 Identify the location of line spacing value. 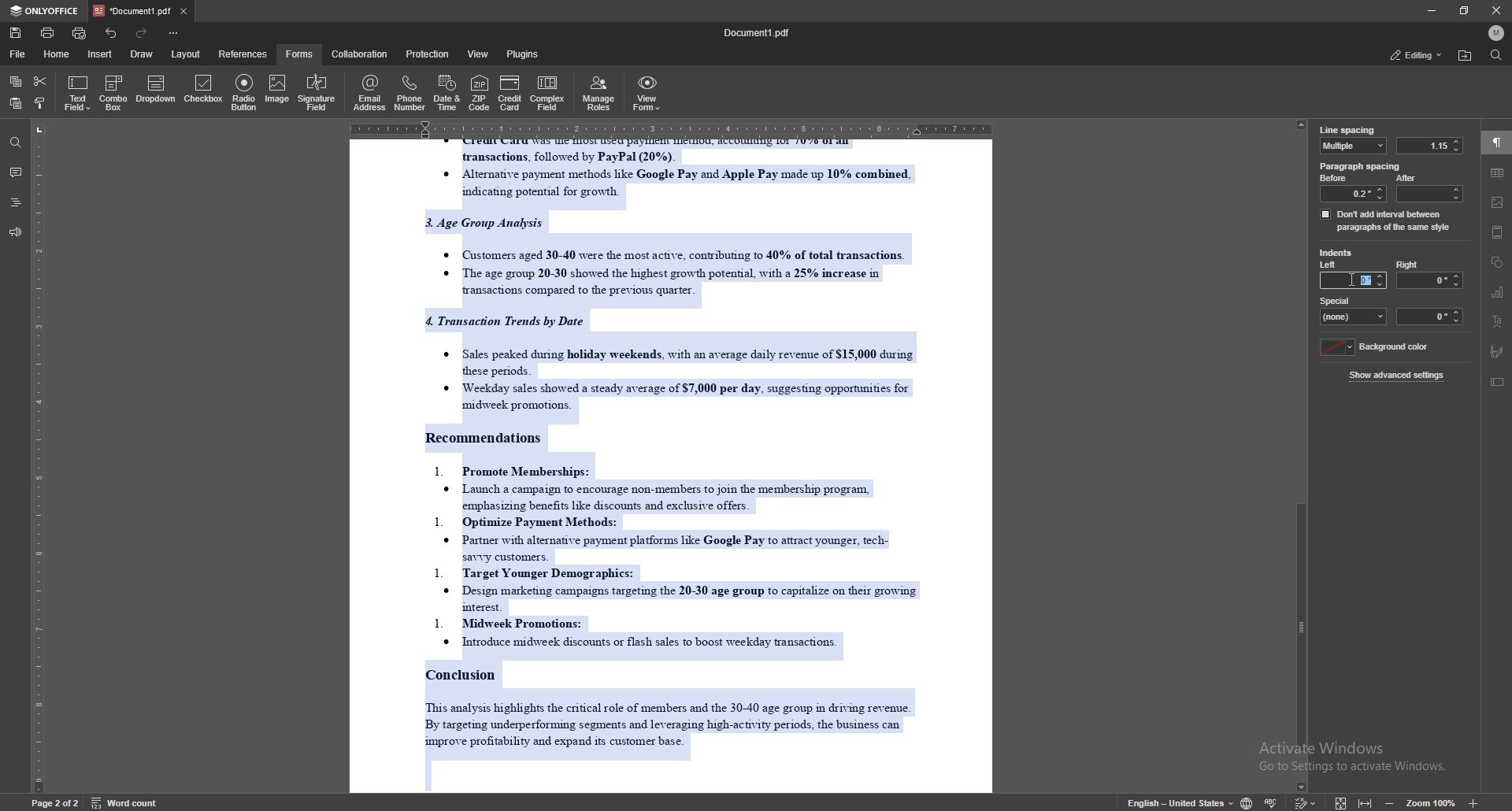
(1429, 146).